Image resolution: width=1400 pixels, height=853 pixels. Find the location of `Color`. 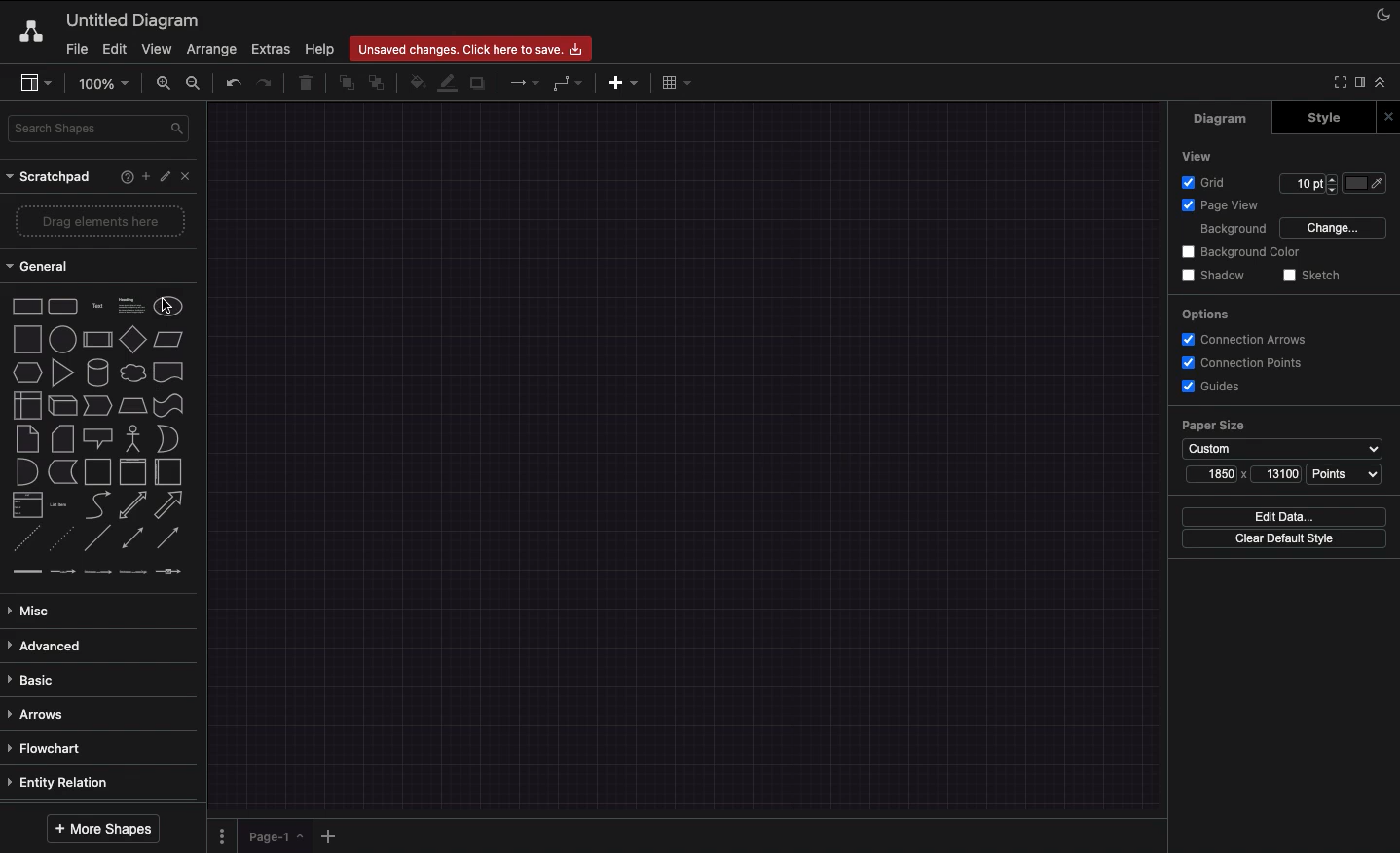

Color is located at coordinates (1367, 183).